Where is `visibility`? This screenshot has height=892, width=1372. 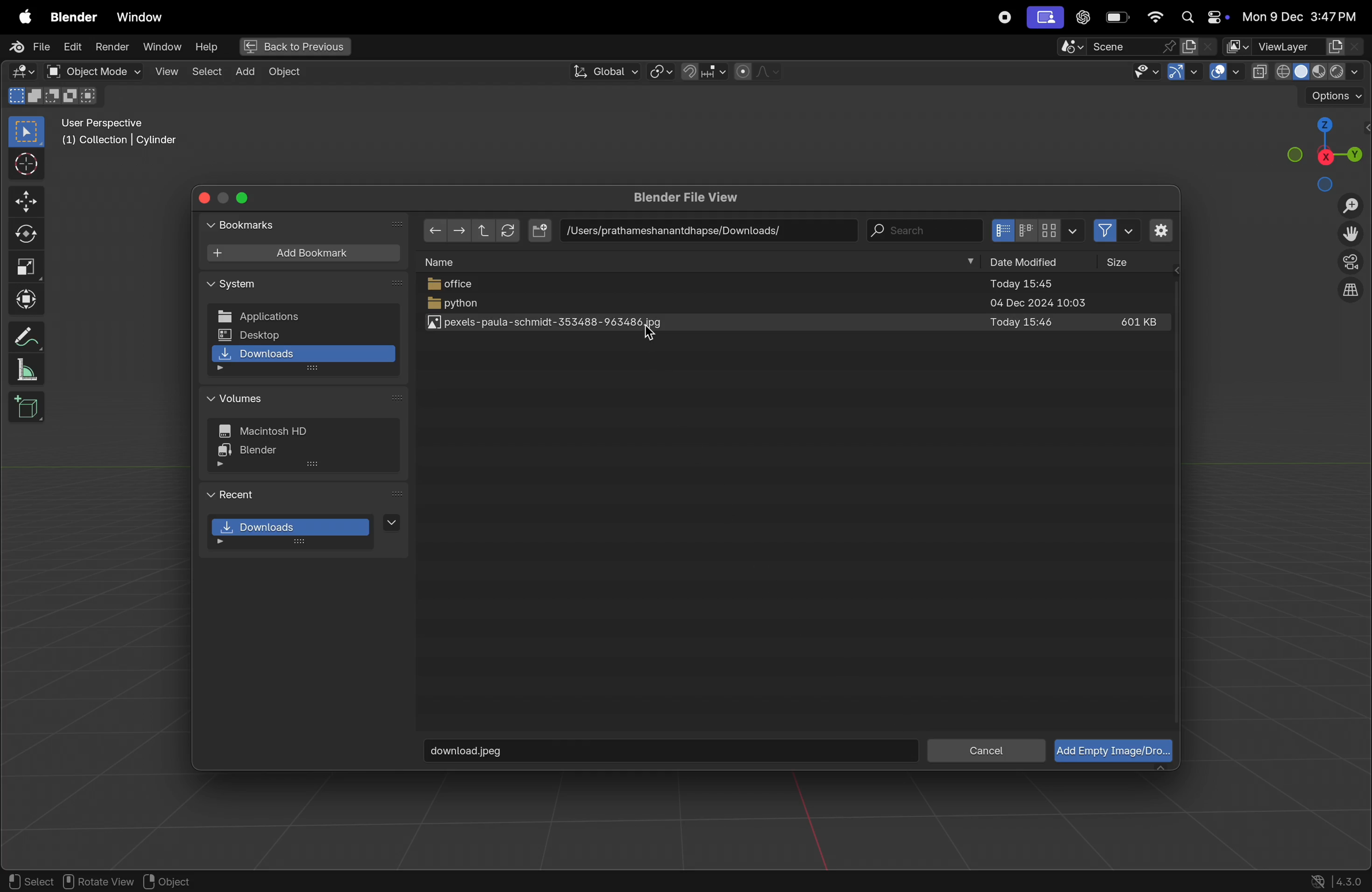
visibility is located at coordinates (1145, 72).